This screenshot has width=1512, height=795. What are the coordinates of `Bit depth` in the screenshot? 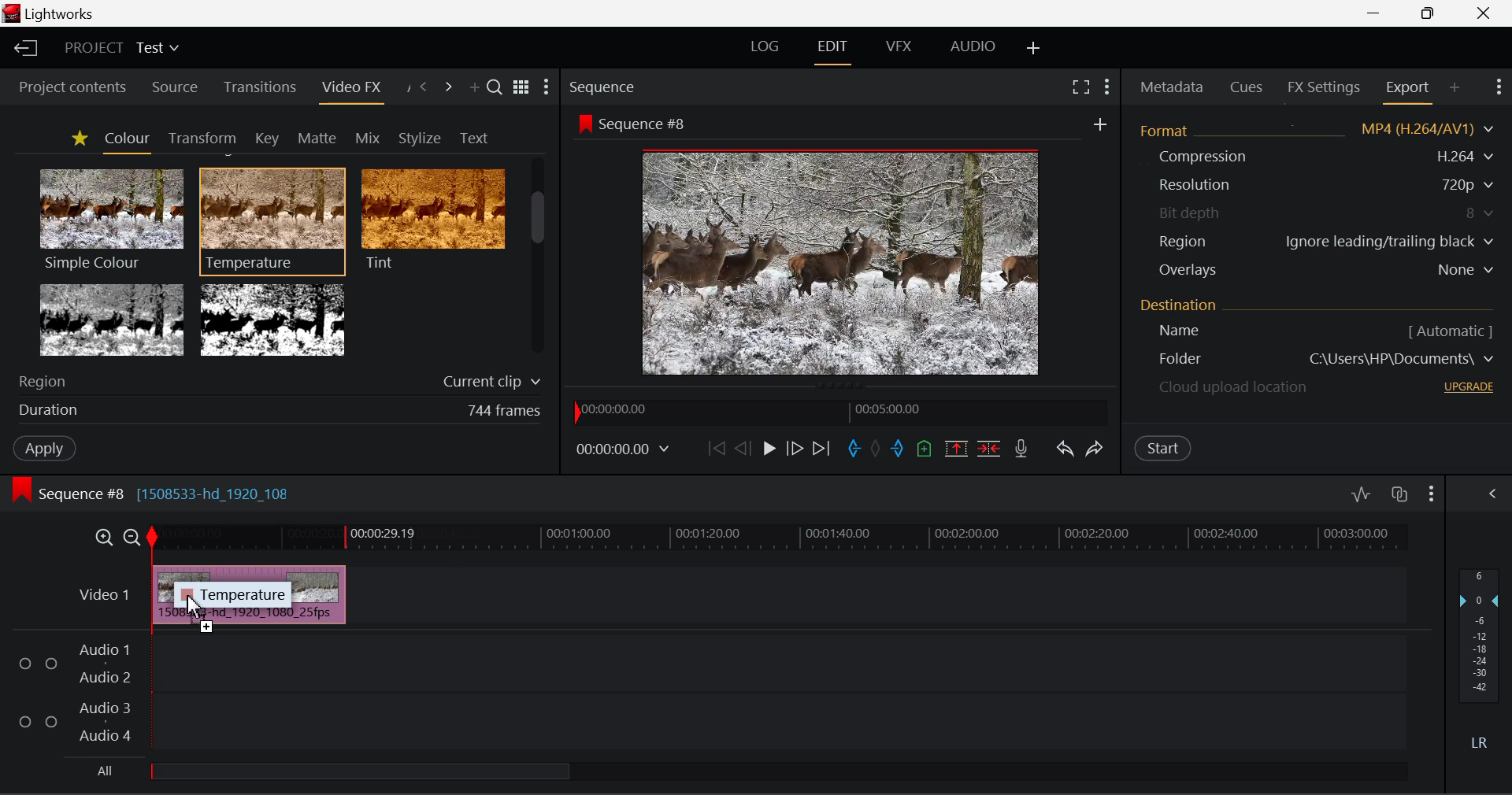 It's located at (1191, 210).